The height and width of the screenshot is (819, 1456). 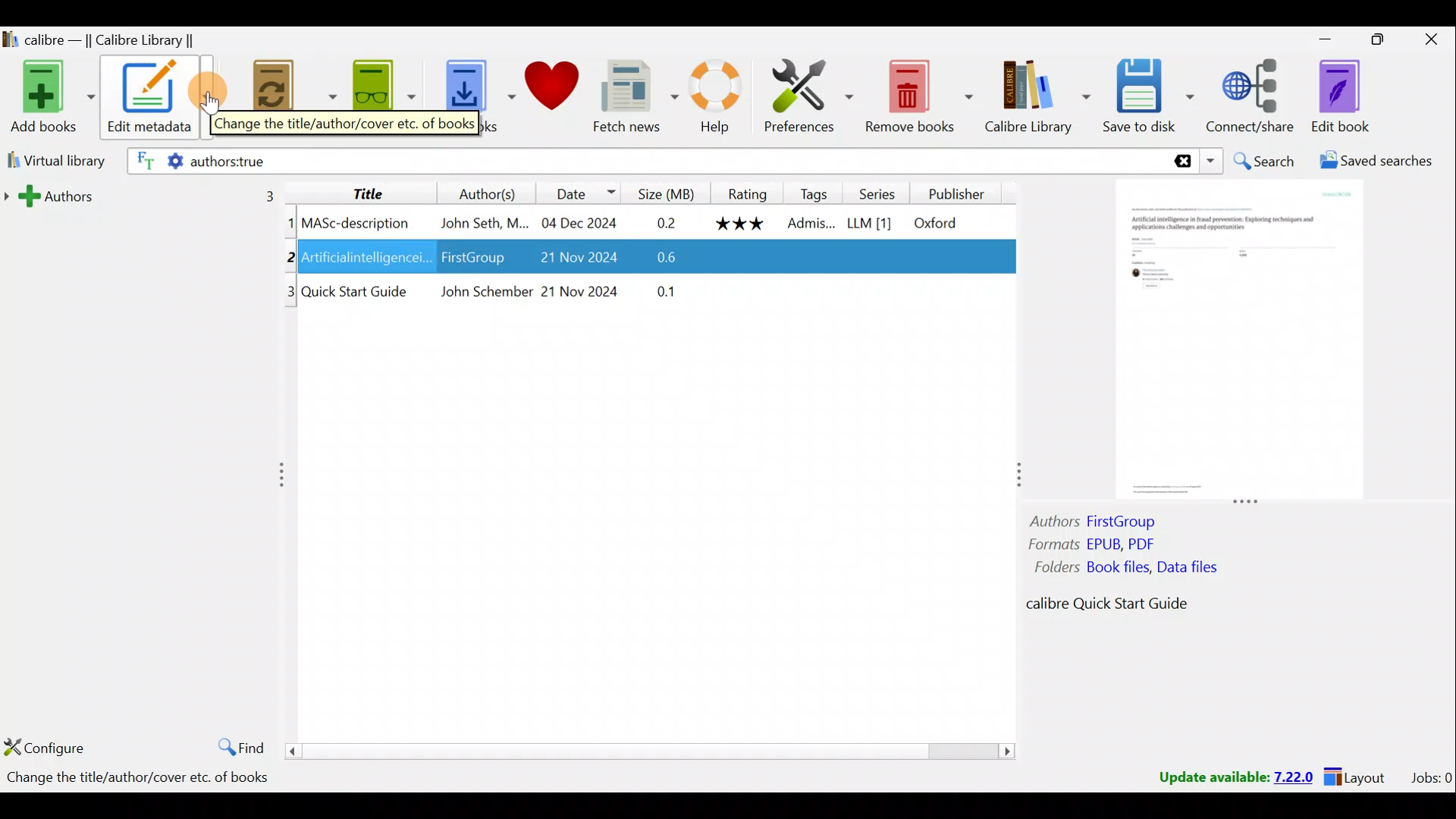 What do you see at coordinates (271, 83) in the screenshot?
I see `Convert books` at bounding box center [271, 83].